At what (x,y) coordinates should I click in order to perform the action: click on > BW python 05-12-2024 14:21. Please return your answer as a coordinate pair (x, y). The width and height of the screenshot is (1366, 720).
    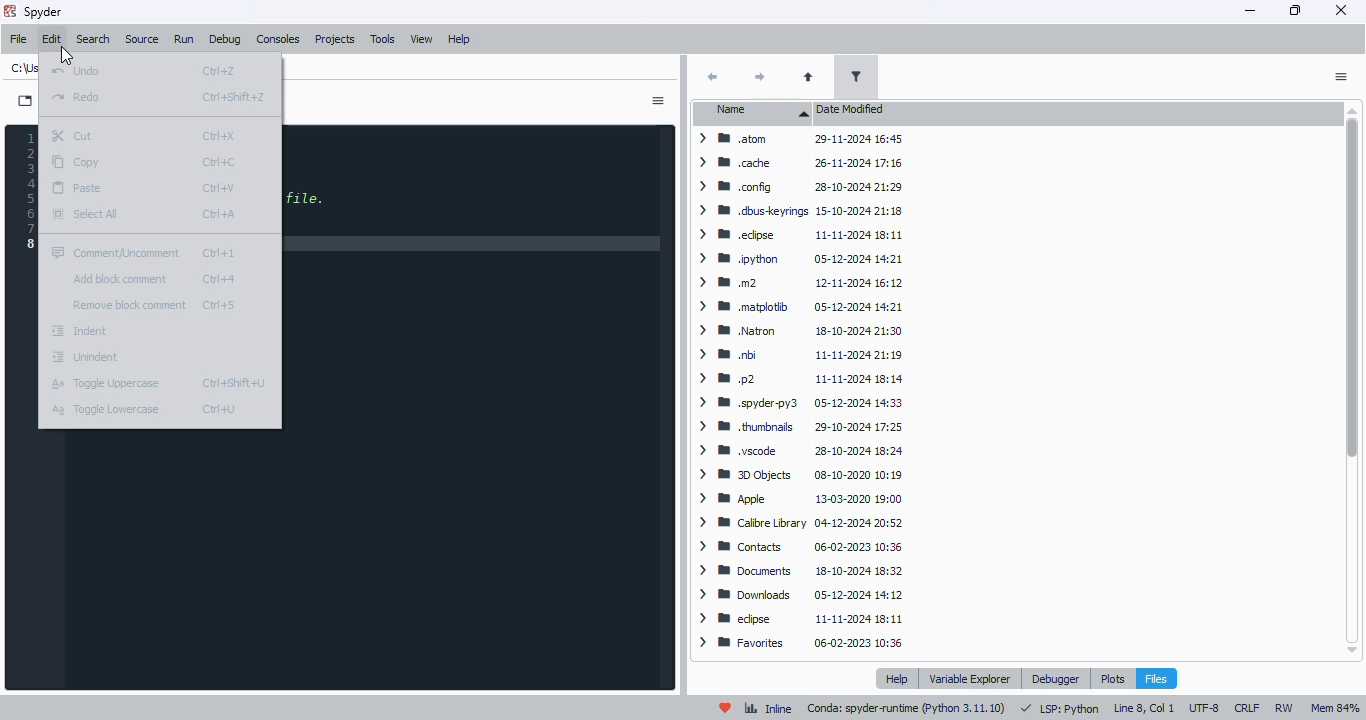
    Looking at the image, I should click on (798, 258).